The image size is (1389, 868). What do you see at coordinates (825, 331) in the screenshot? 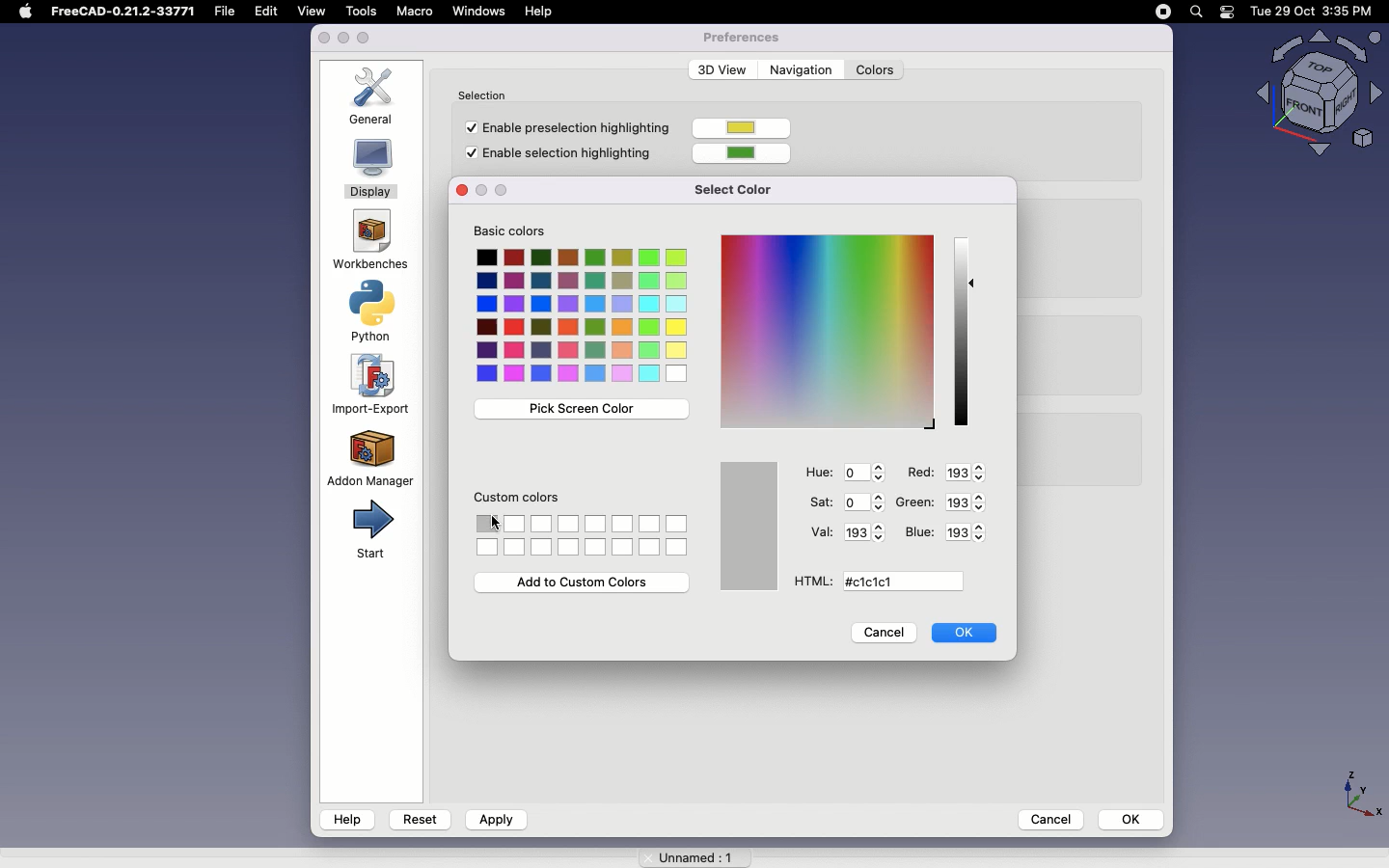
I see `Color selection` at bounding box center [825, 331].